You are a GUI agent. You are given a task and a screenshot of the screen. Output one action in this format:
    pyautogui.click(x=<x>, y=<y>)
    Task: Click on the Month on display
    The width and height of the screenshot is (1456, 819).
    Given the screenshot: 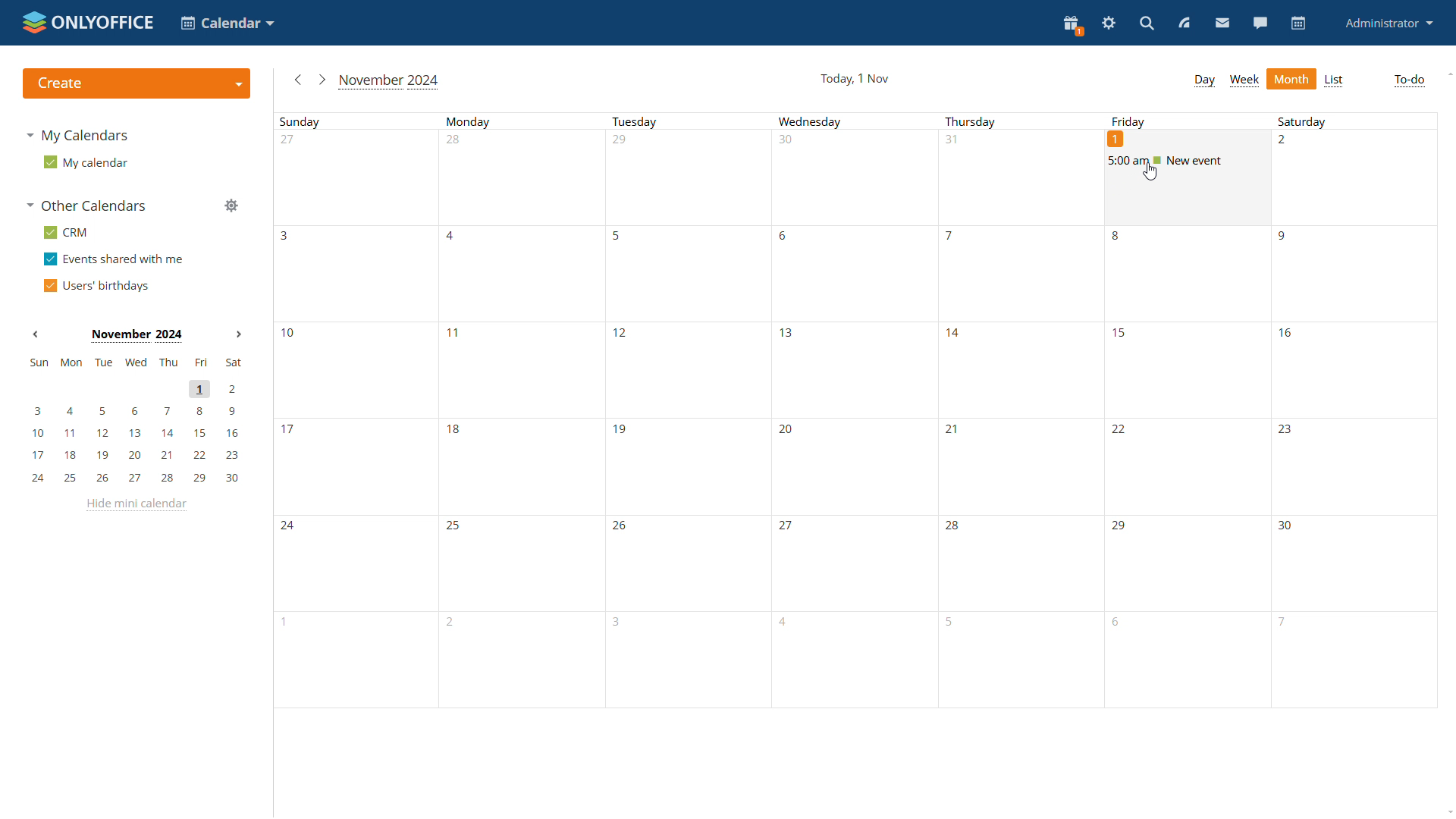 What is the action you would take?
    pyautogui.click(x=135, y=334)
    